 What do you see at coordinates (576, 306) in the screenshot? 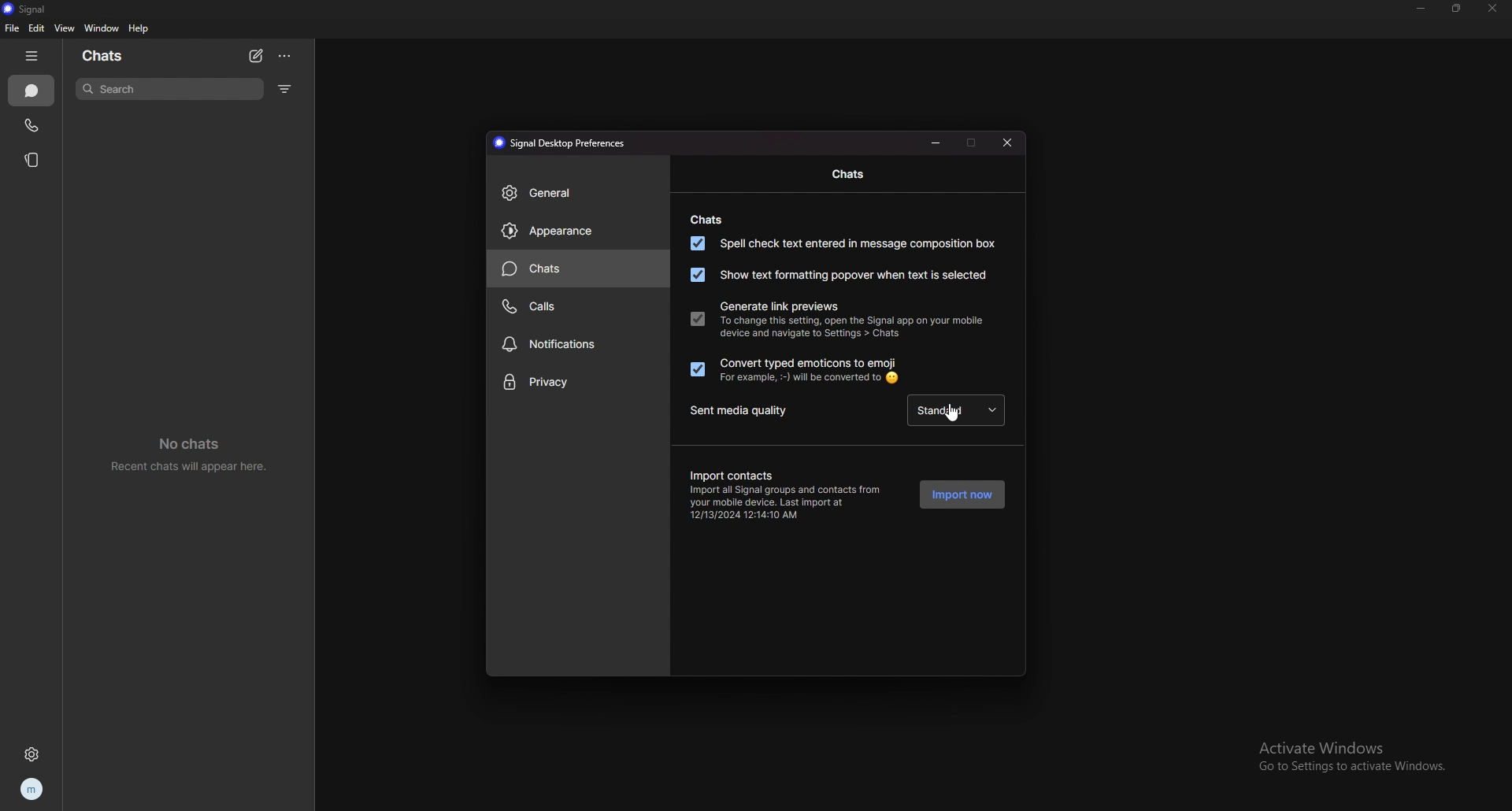
I see `calls` at bounding box center [576, 306].